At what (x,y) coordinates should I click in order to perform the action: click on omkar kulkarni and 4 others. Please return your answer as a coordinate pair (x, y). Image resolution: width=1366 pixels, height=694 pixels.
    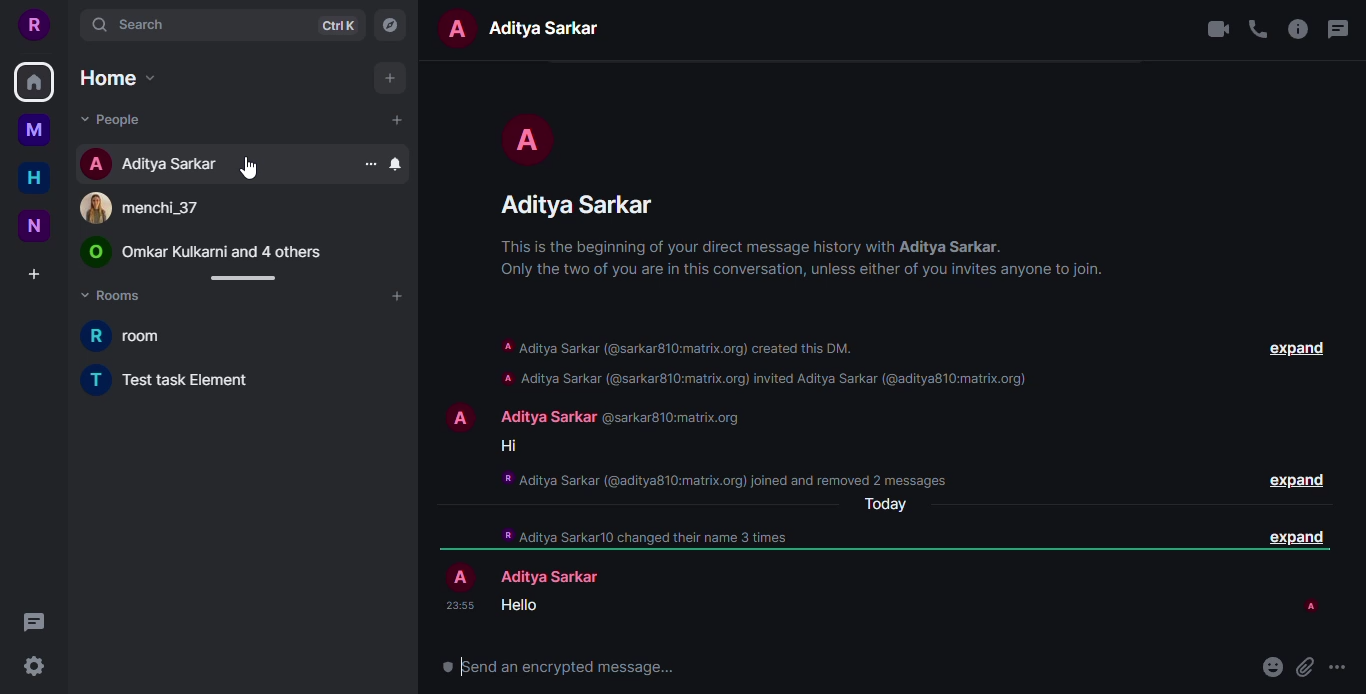
    Looking at the image, I should click on (202, 253).